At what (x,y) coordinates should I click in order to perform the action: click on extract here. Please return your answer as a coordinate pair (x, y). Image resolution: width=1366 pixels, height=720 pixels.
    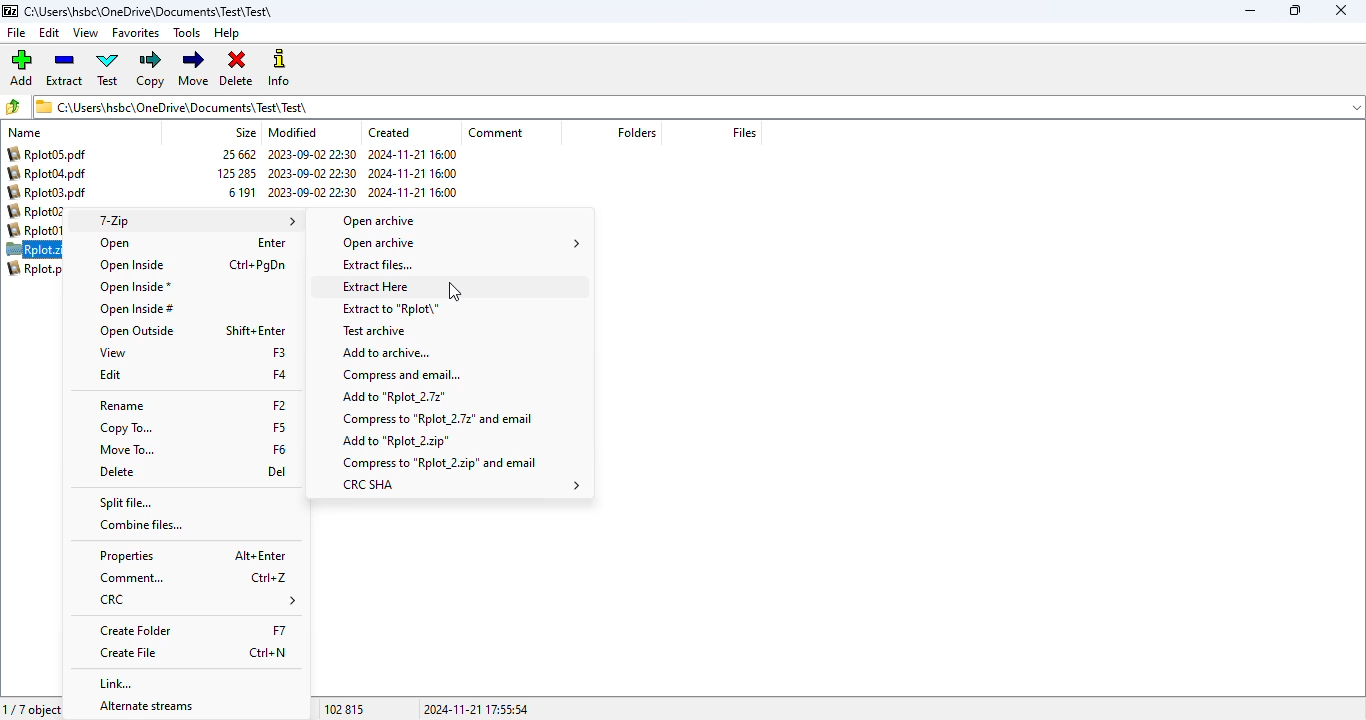
    Looking at the image, I should click on (375, 286).